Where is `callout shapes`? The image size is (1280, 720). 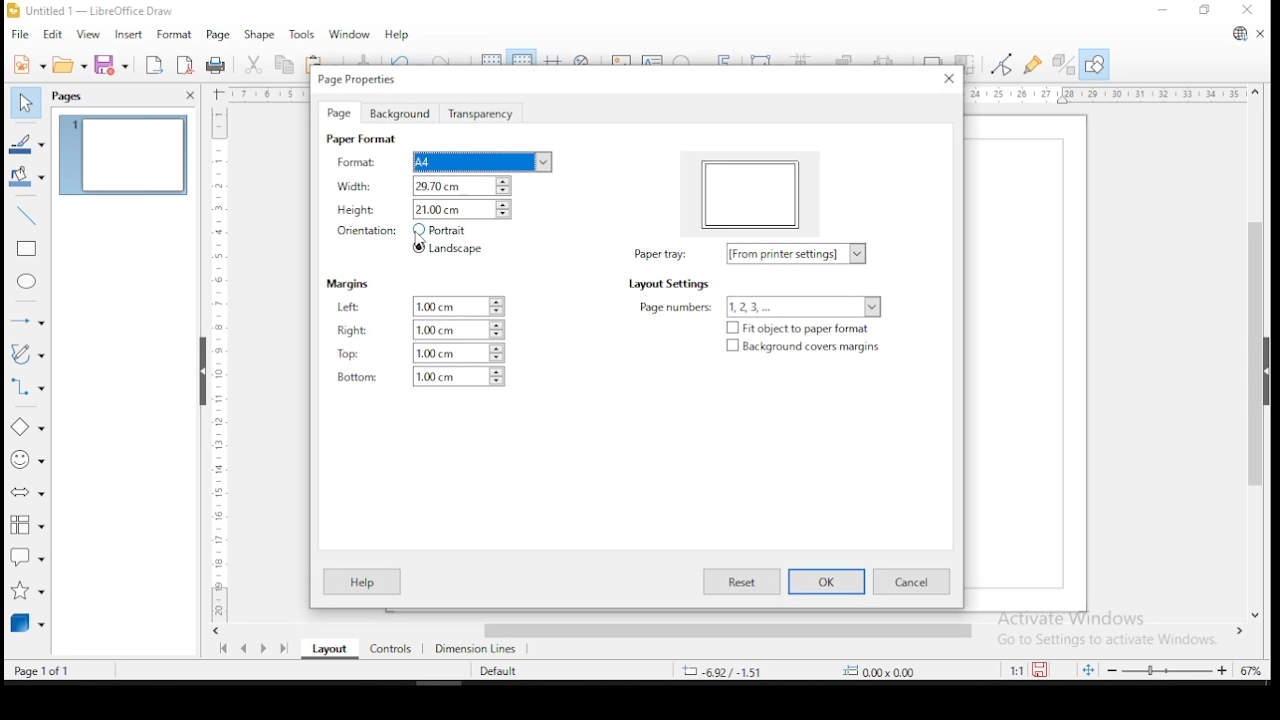
callout shapes is located at coordinates (27, 559).